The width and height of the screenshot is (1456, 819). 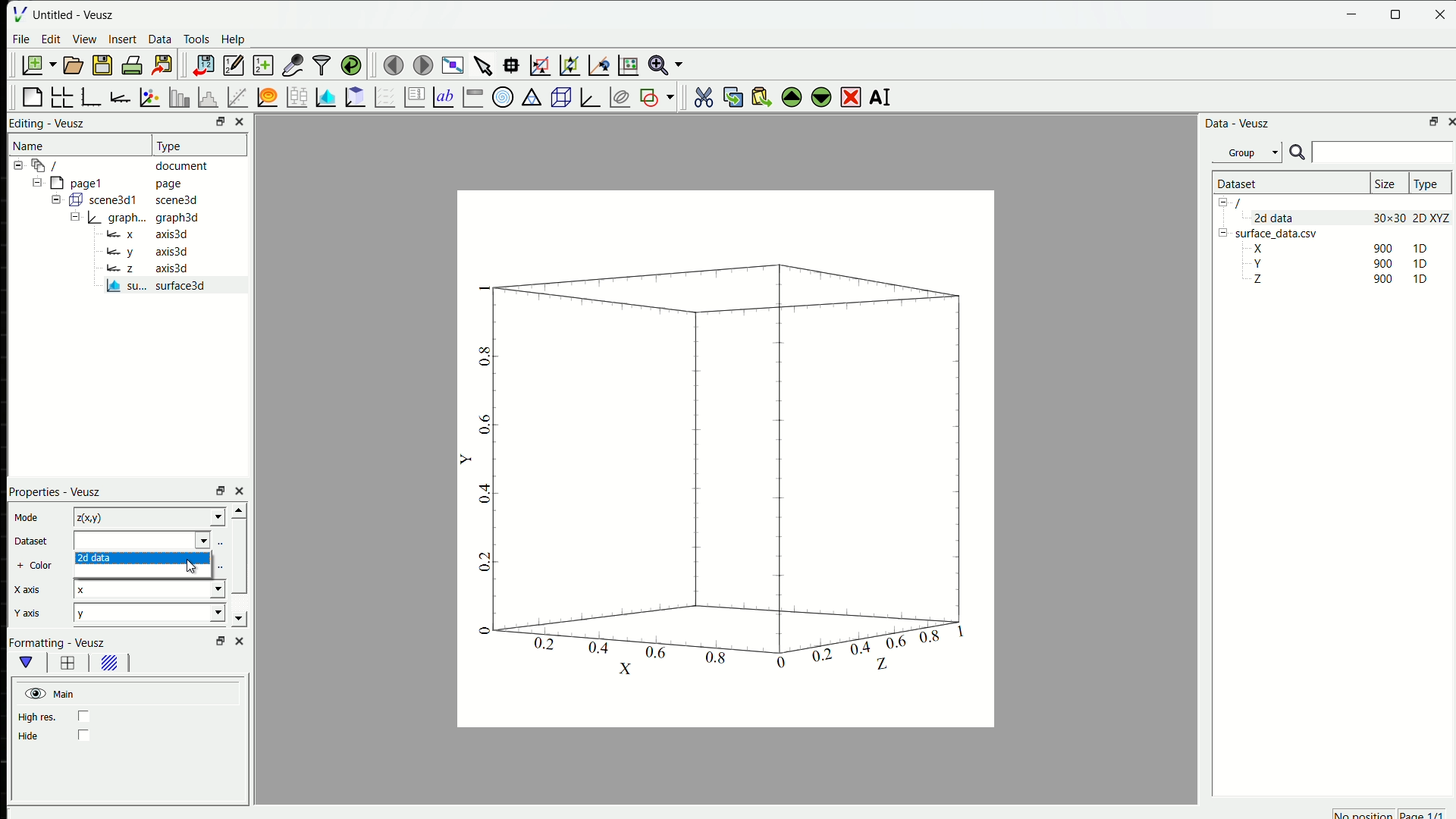 What do you see at coordinates (132, 64) in the screenshot?
I see `print` at bounding box center [132, 64].